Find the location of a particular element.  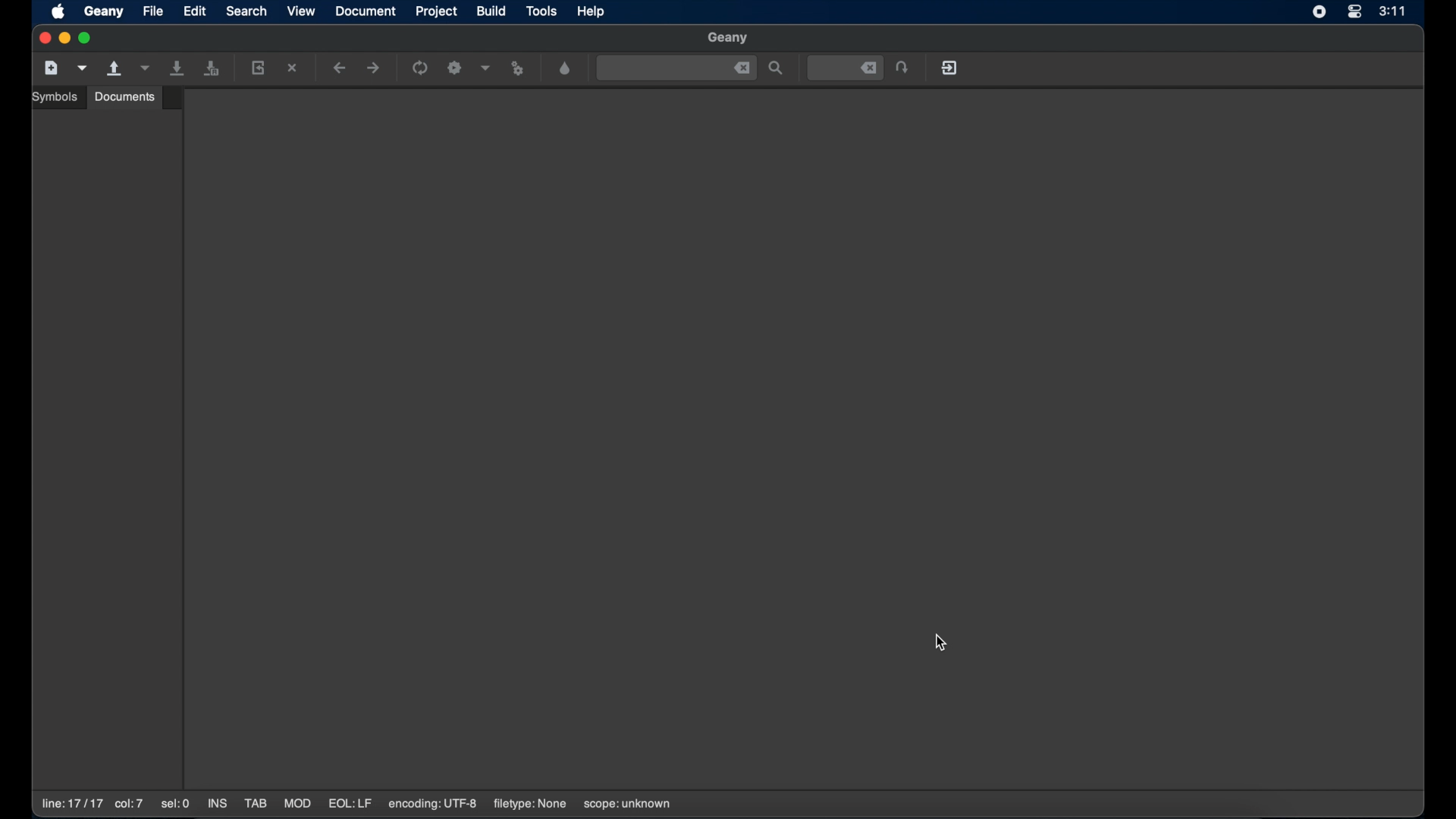

co:7 is located at coordinates (128, 805).